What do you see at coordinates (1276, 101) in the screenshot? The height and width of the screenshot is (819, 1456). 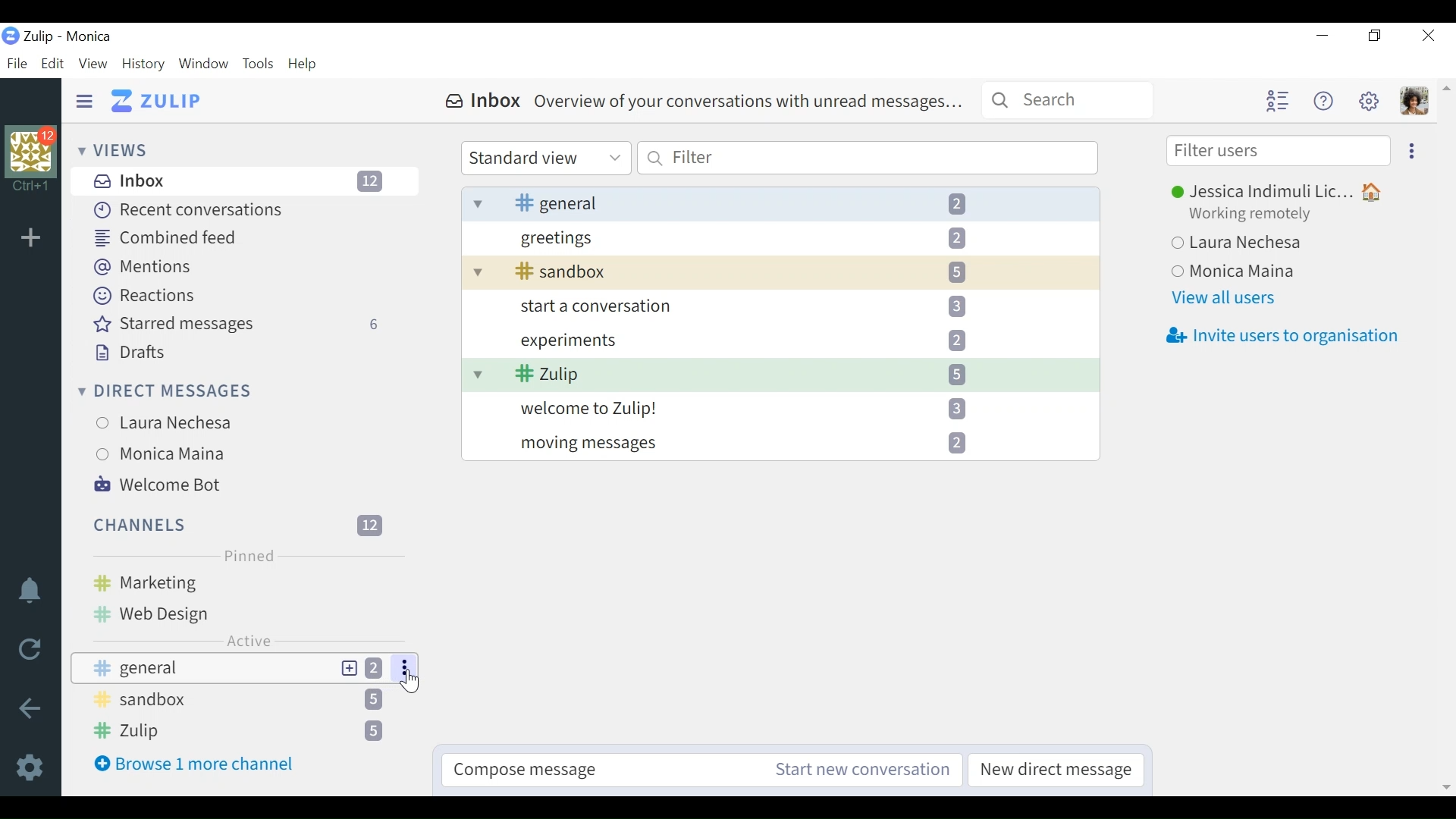 I see `user list` at bounding box center [1276, 101].